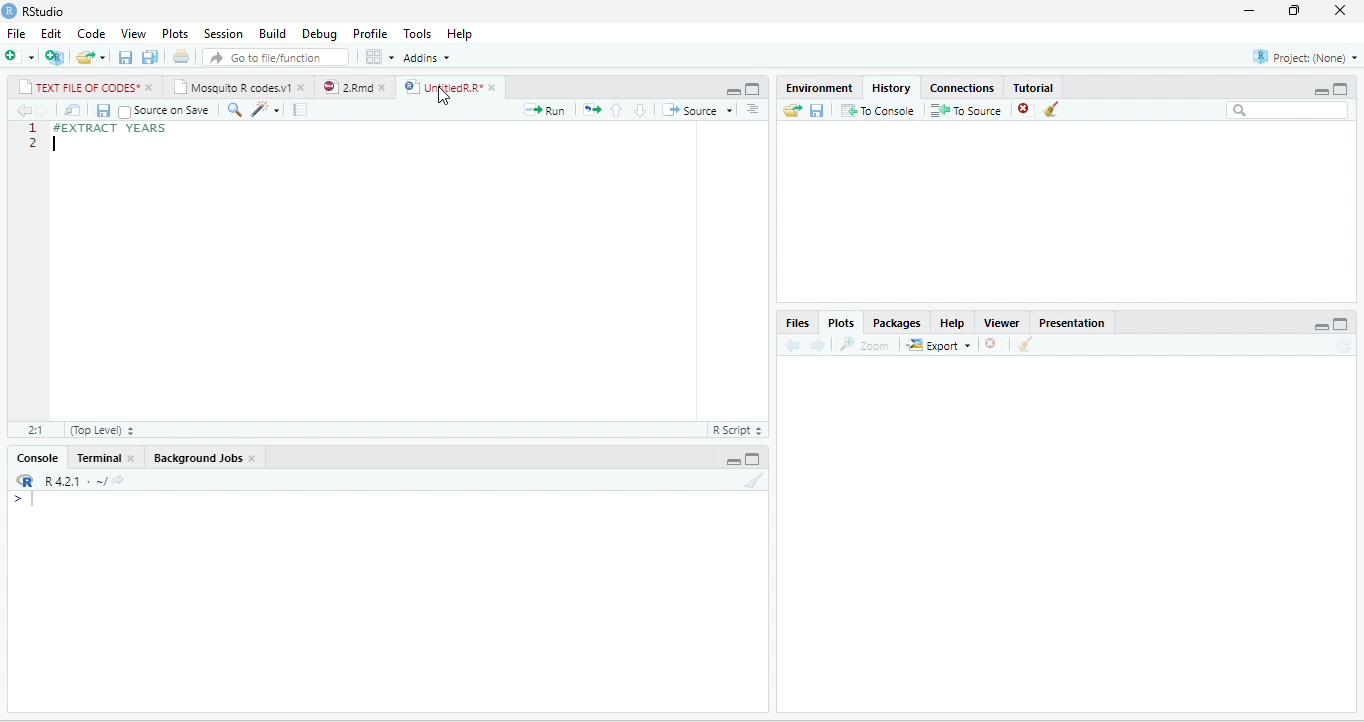 This screenshot has height=722, width=1364. What do you see at coordinates (1321, 91) in the screenshot?
I see `minimize` at bounding box center [1321, 91].